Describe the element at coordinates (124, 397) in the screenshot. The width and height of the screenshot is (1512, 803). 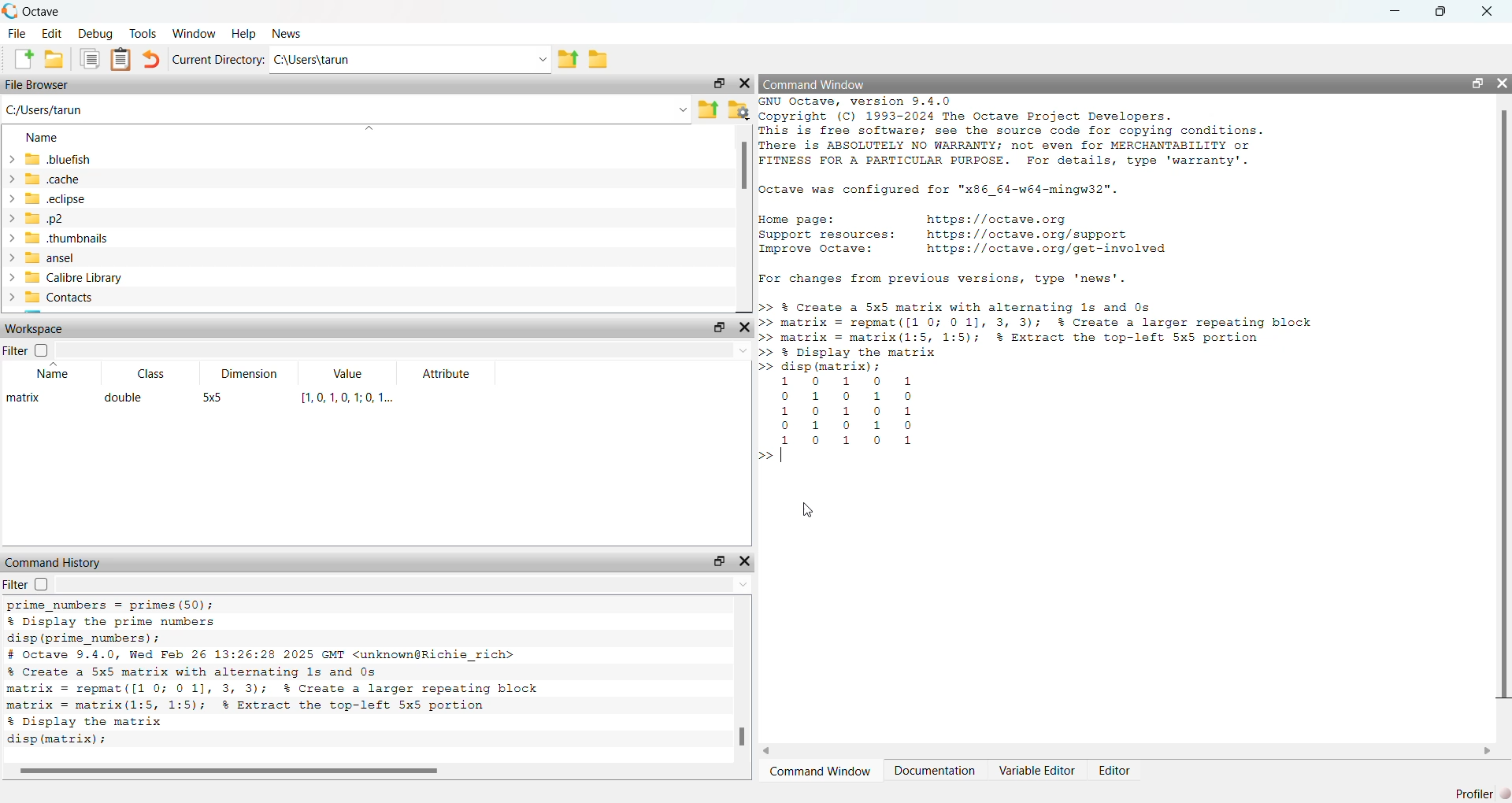
I see `double` at that location.